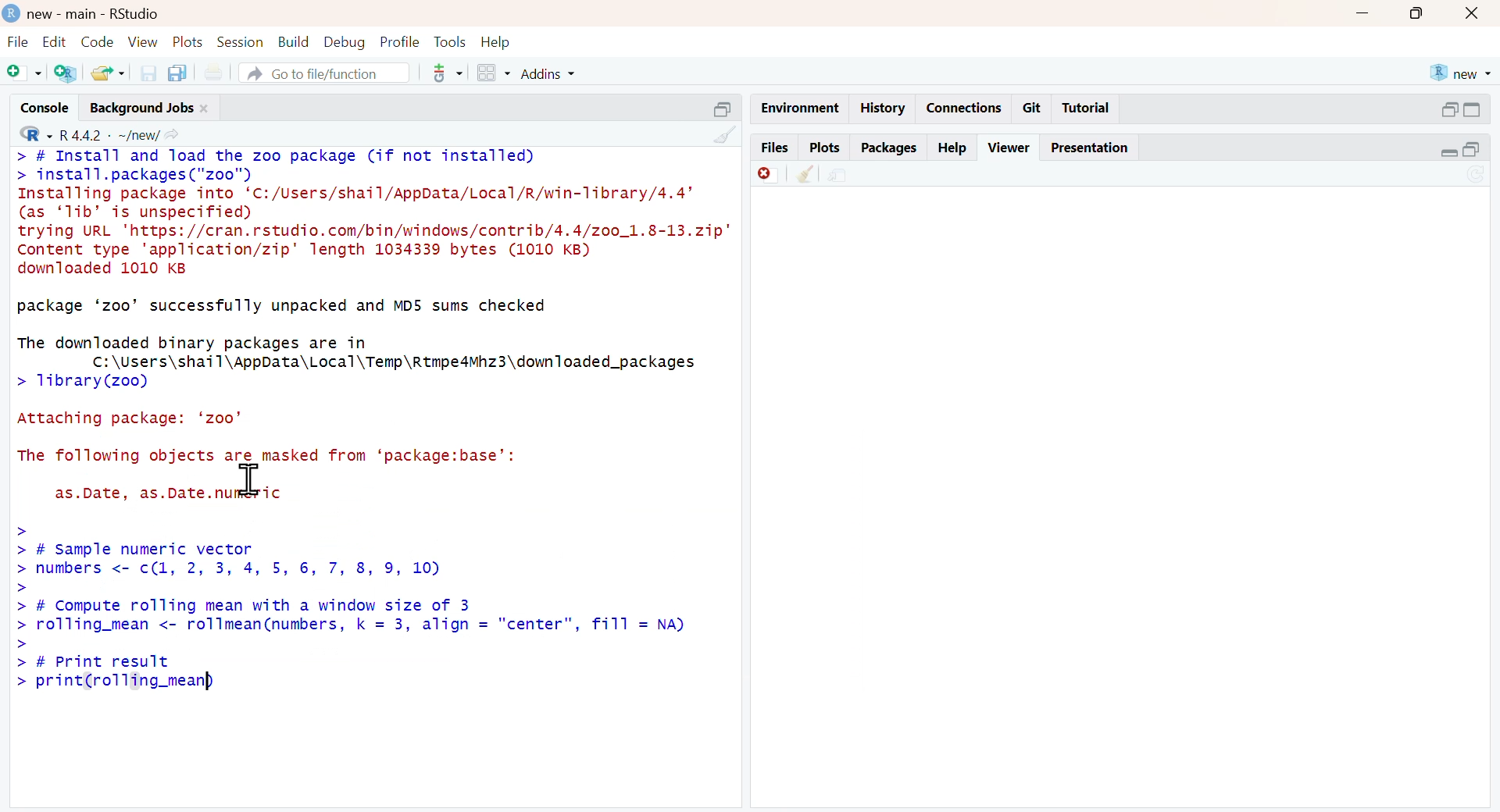 The image size is (1500, 812). I want to click on connections, so click(961, 108).